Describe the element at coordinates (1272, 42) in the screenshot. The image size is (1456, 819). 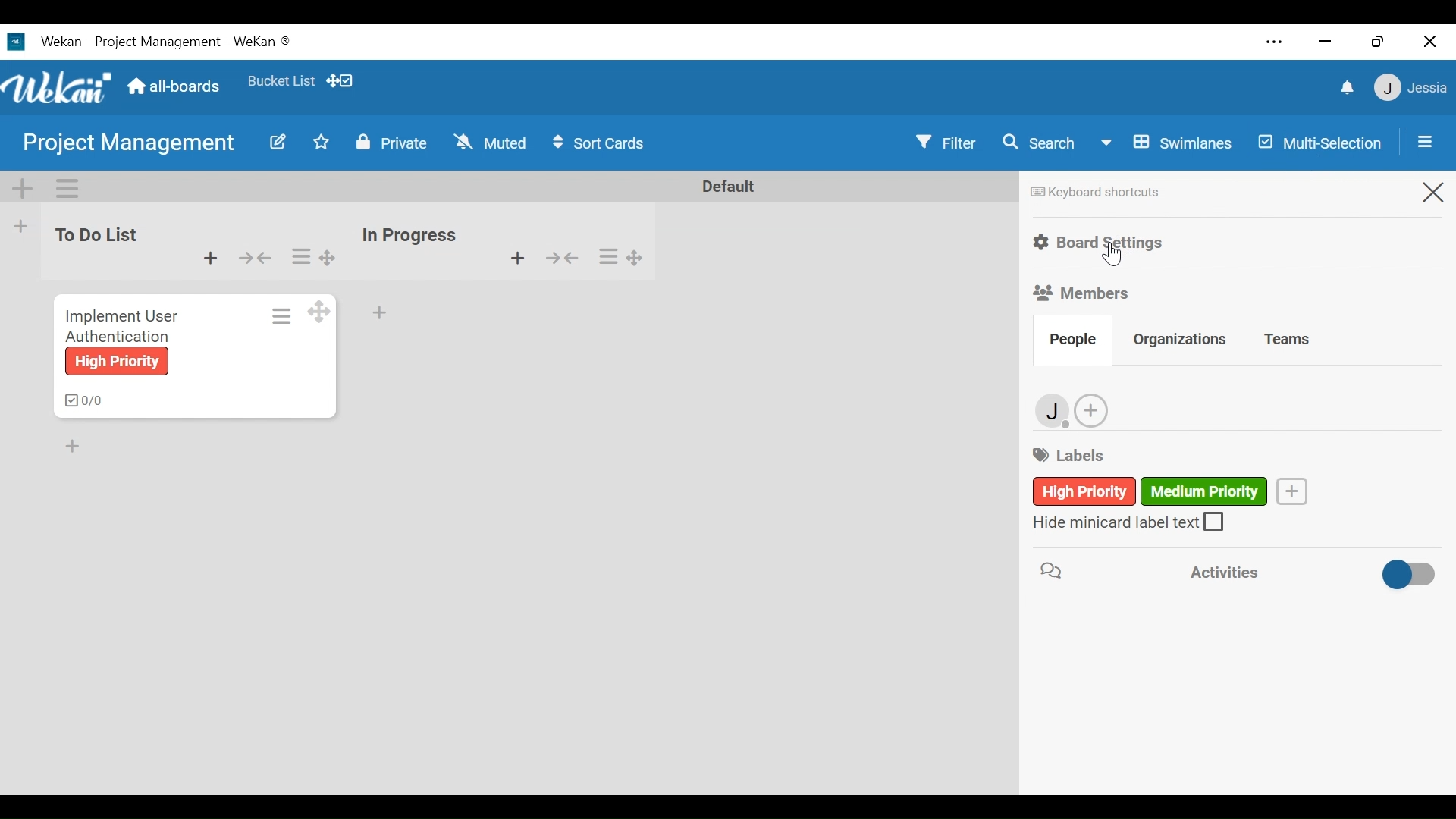
I see `settings and more` at that location.